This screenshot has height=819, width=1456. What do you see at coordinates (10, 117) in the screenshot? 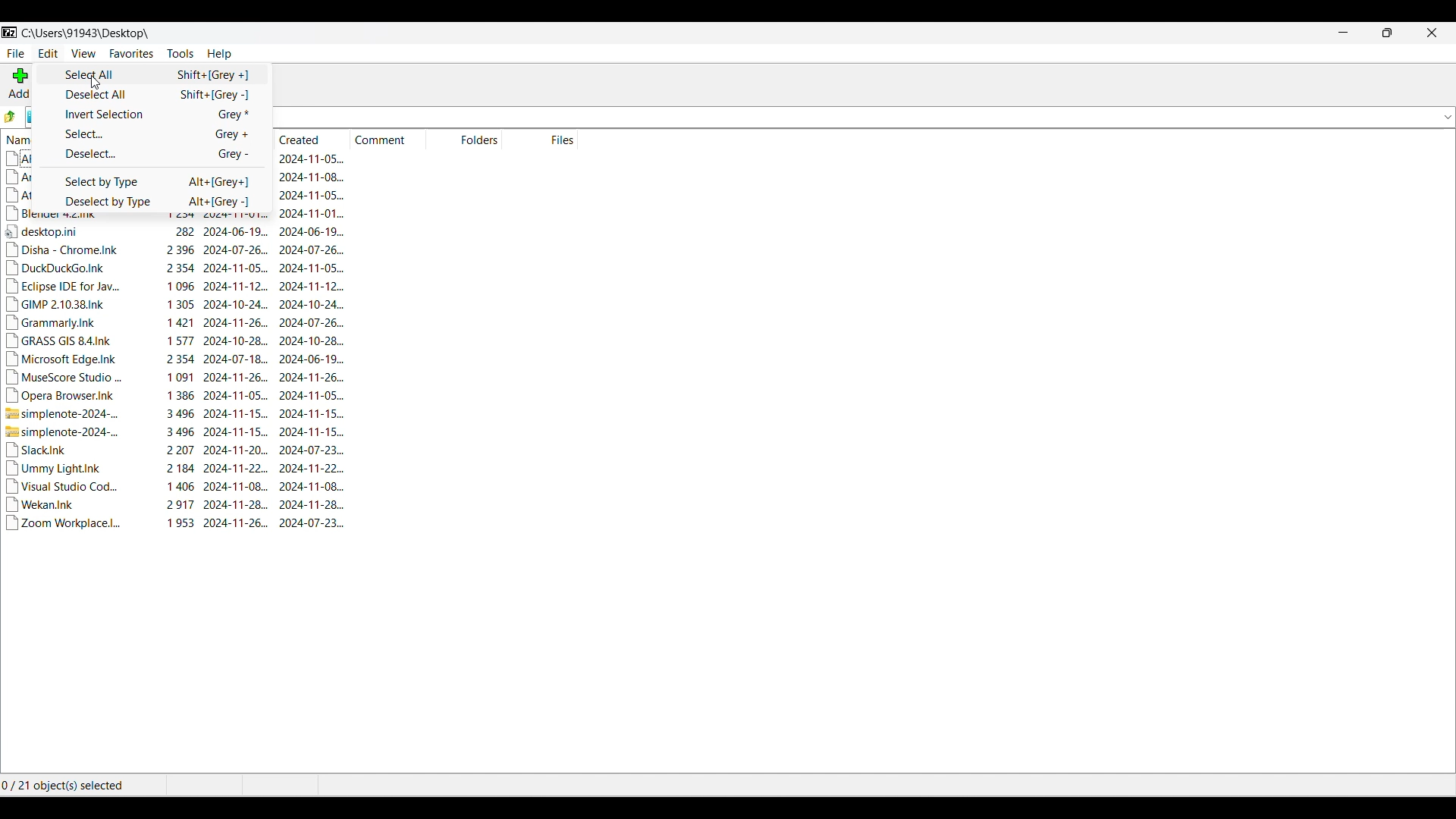
I see `Go to previous folder` at bounding box center [10, 117].